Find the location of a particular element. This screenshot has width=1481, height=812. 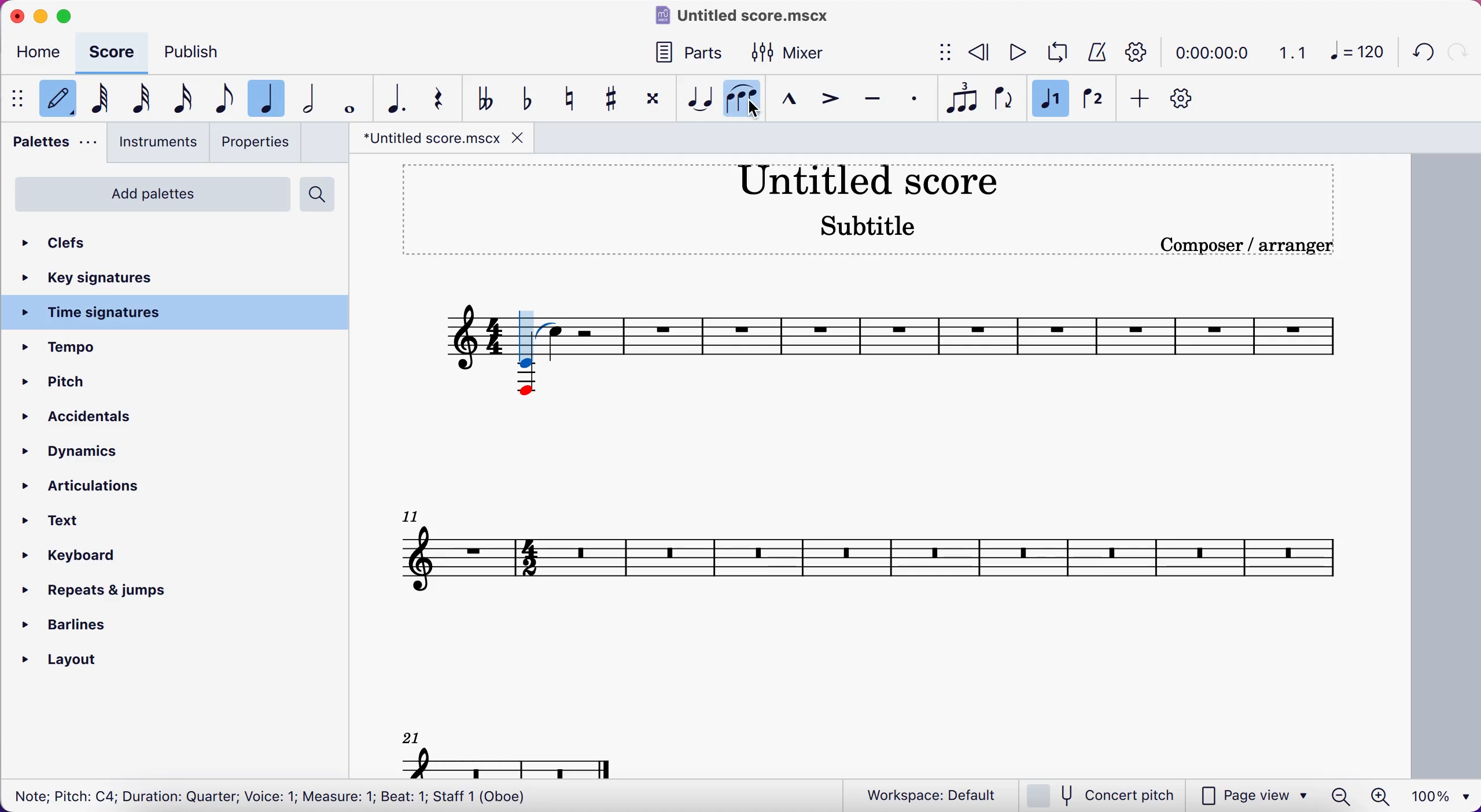

slur is located at coordinates (741, 99).